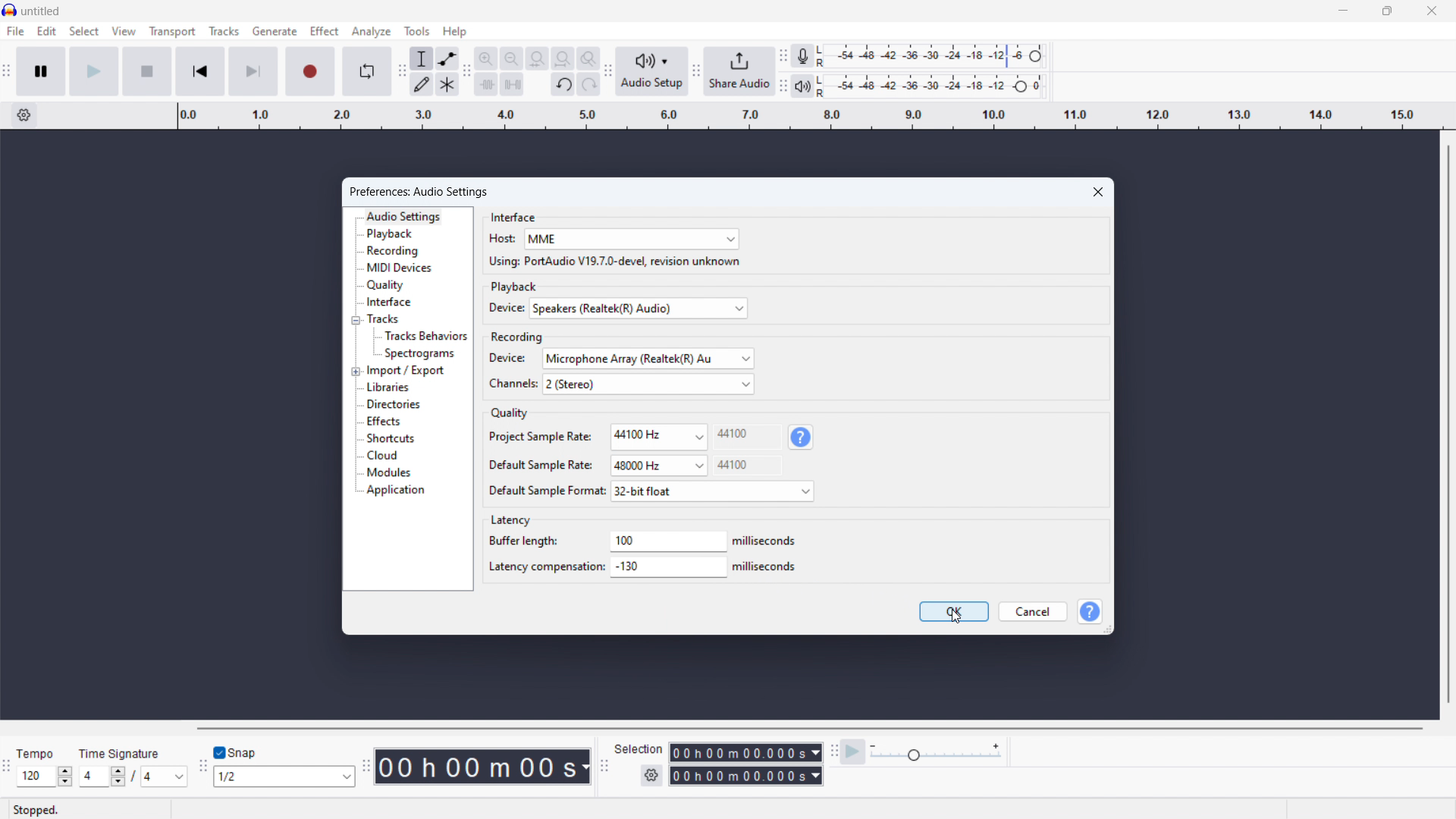 The image size is (1456, 819). I want to click on envelop tool, so click(447, 58).